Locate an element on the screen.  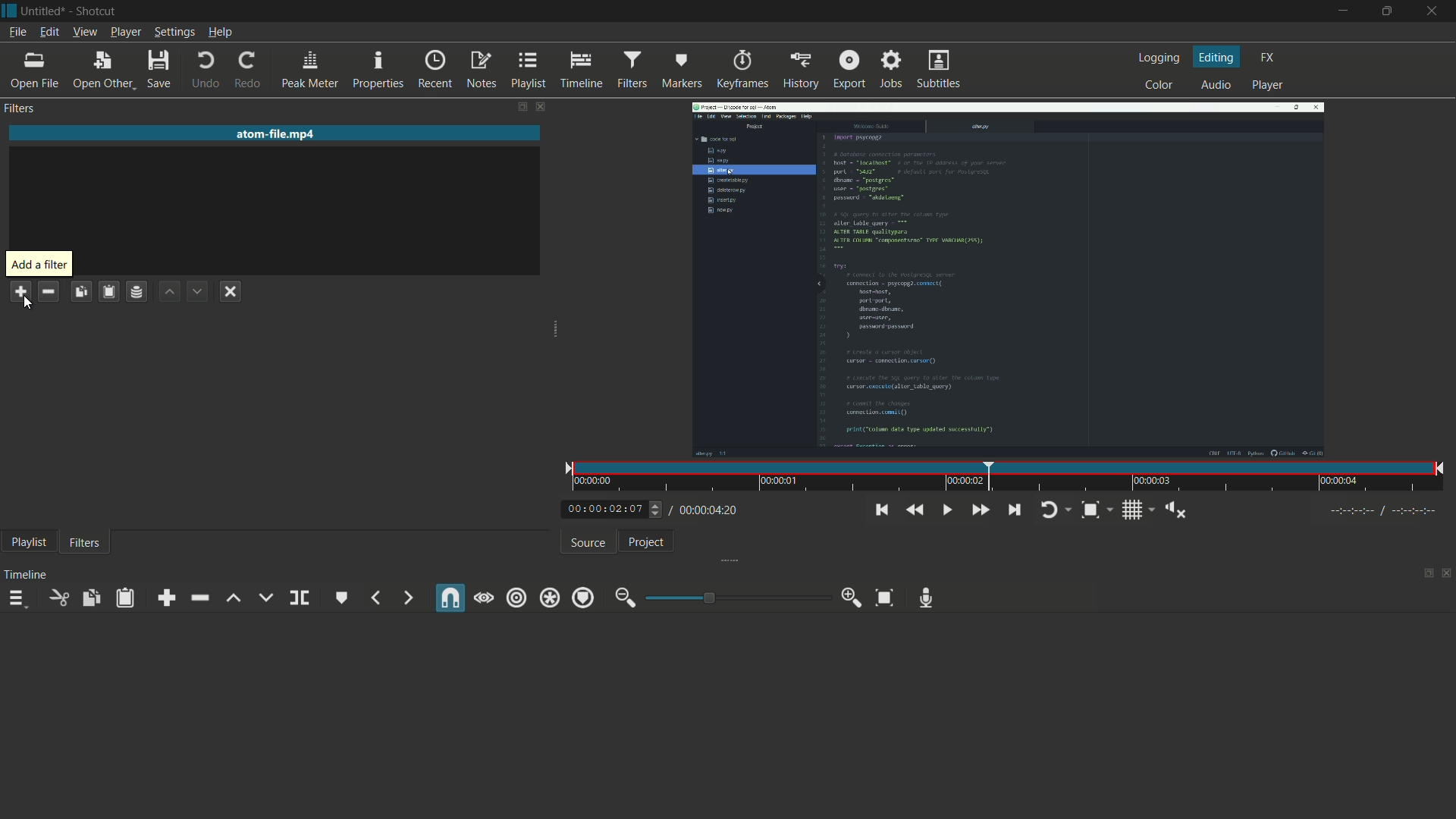
edit menu is located at coordinates (49, 32).